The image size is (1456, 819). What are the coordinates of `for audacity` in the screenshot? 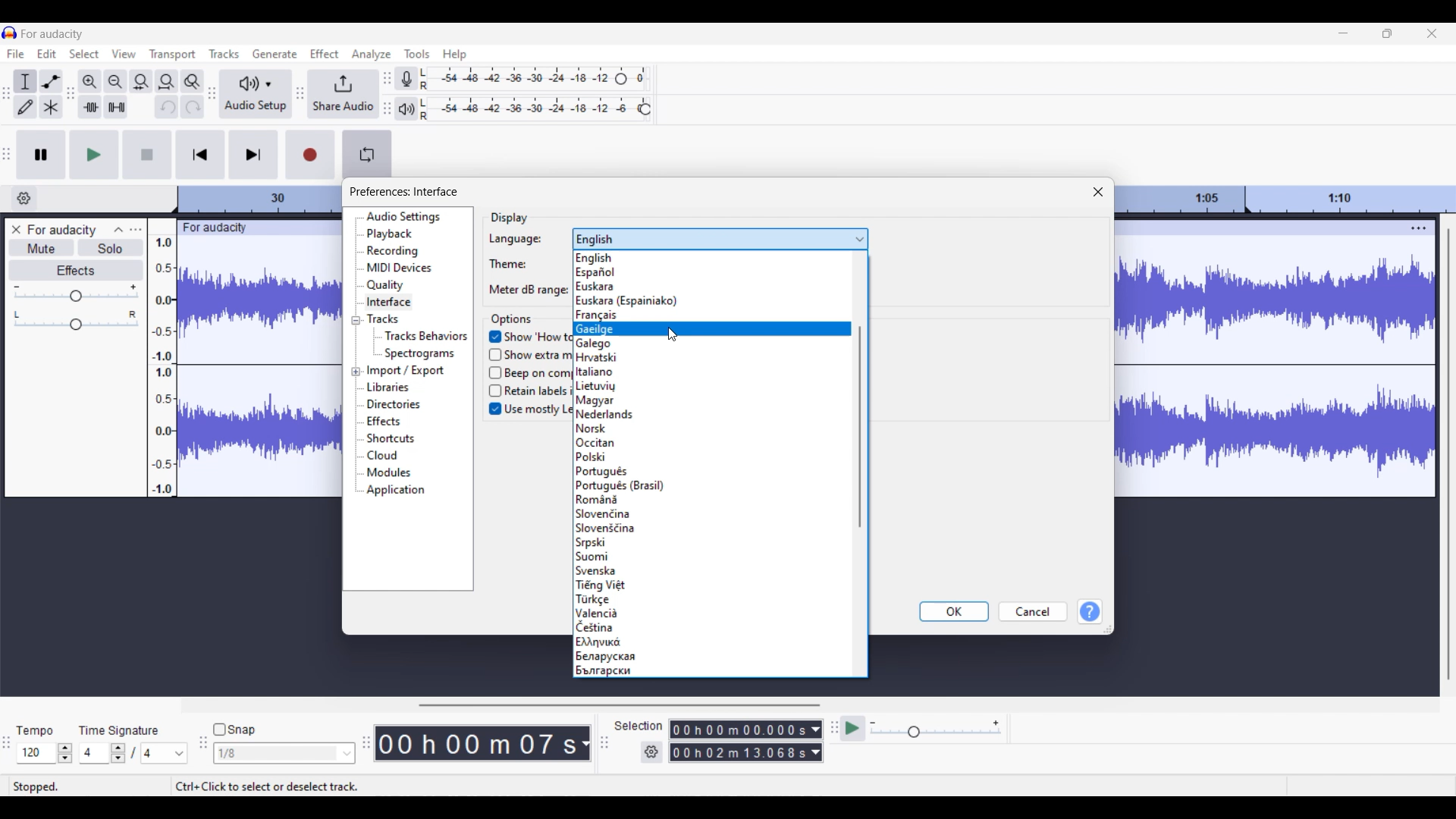 It's located at (53, 34).